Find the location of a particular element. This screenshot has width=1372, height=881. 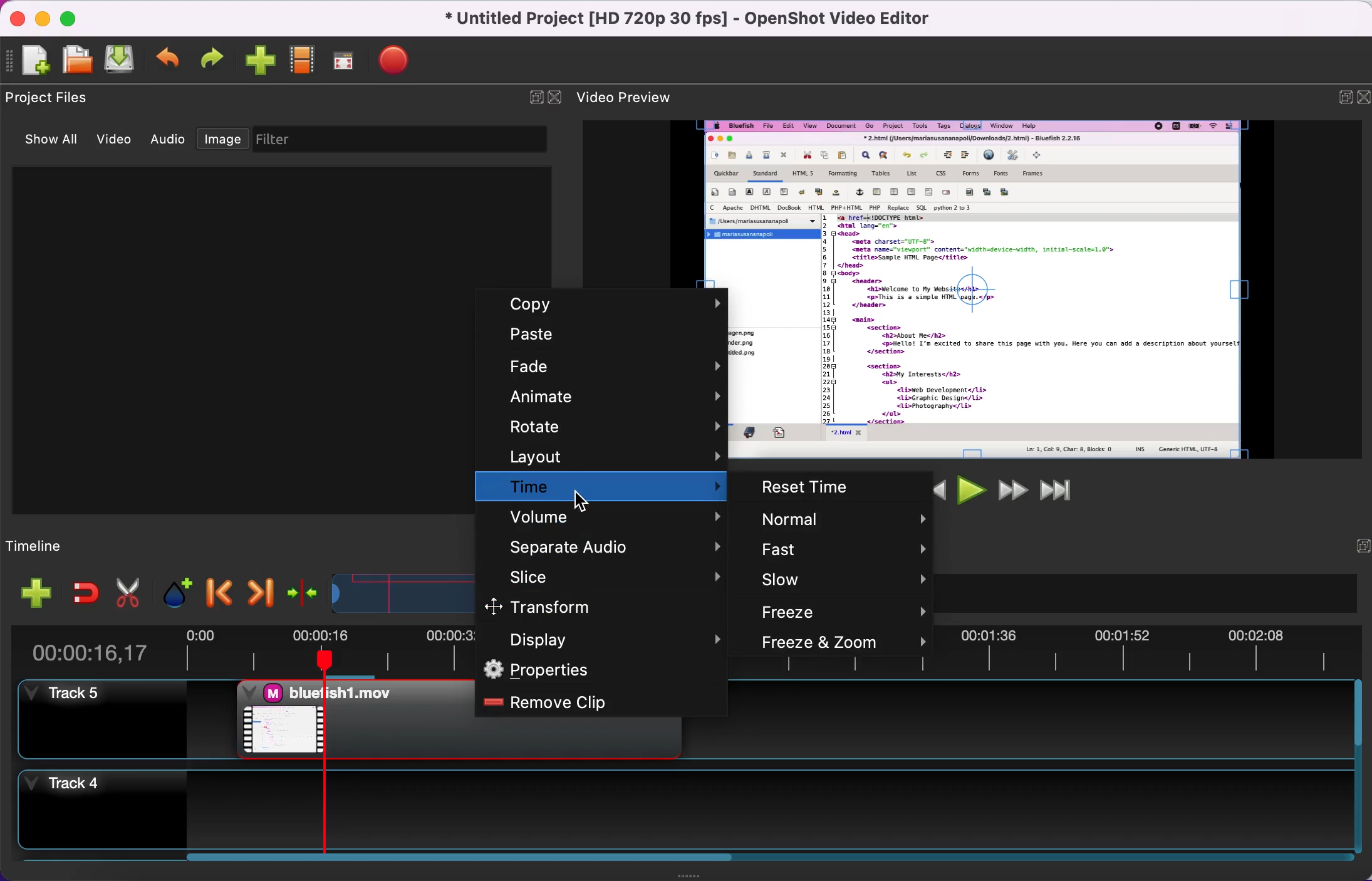

normal is located at coordinates (839, 520).